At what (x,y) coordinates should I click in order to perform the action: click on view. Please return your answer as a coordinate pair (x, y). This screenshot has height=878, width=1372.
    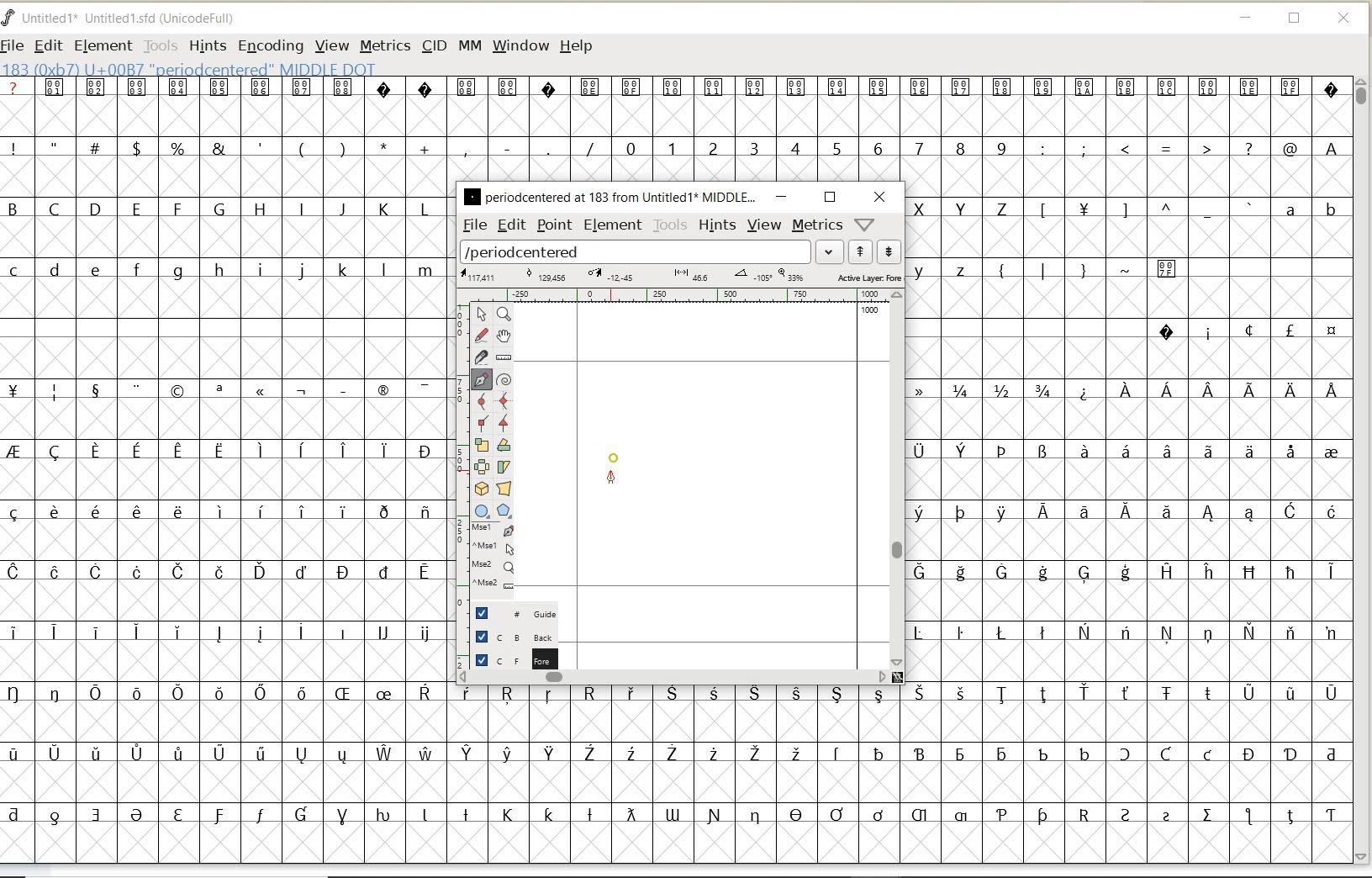
    Looking at the image, I should click on (765, 225).